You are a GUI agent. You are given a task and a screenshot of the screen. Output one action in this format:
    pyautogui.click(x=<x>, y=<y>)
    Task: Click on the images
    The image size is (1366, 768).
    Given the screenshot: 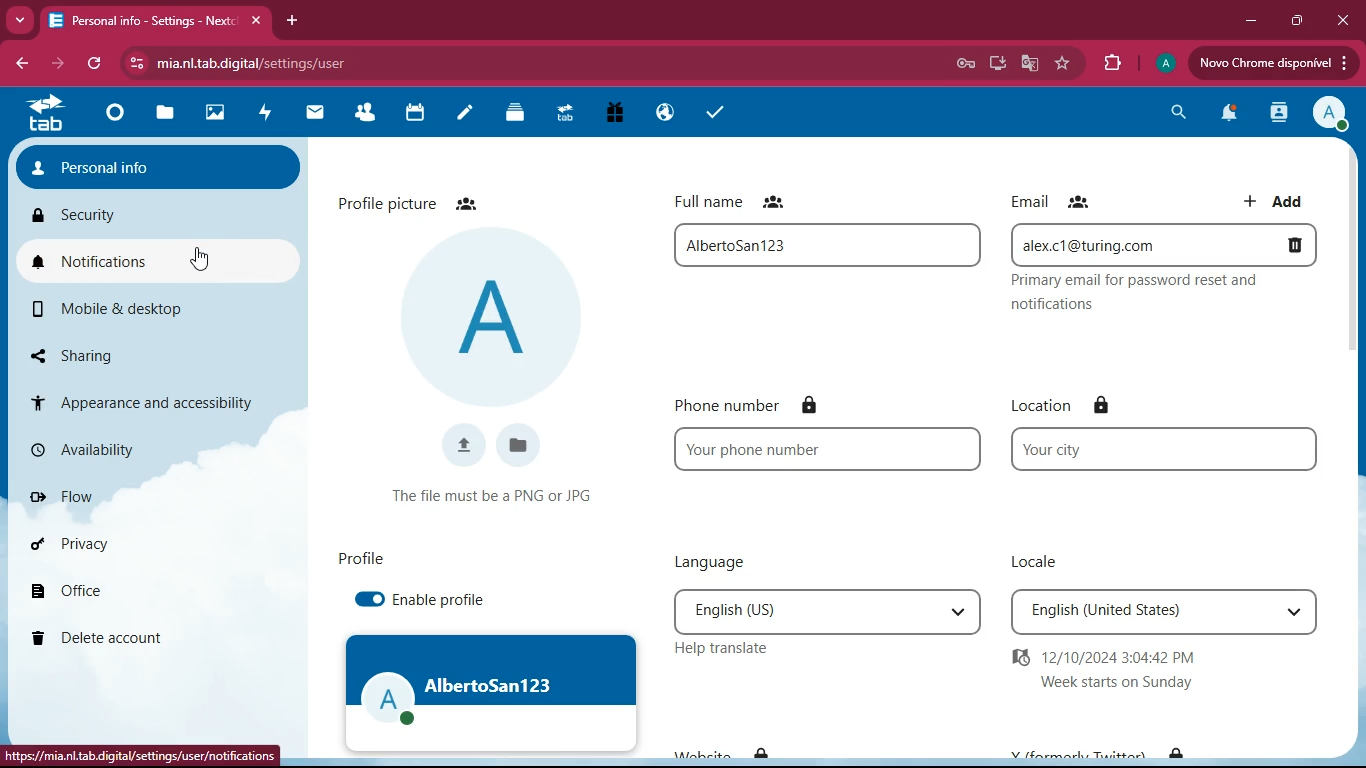 What is the action you would take?
    pyautogui.click(x=213, y=115)
    